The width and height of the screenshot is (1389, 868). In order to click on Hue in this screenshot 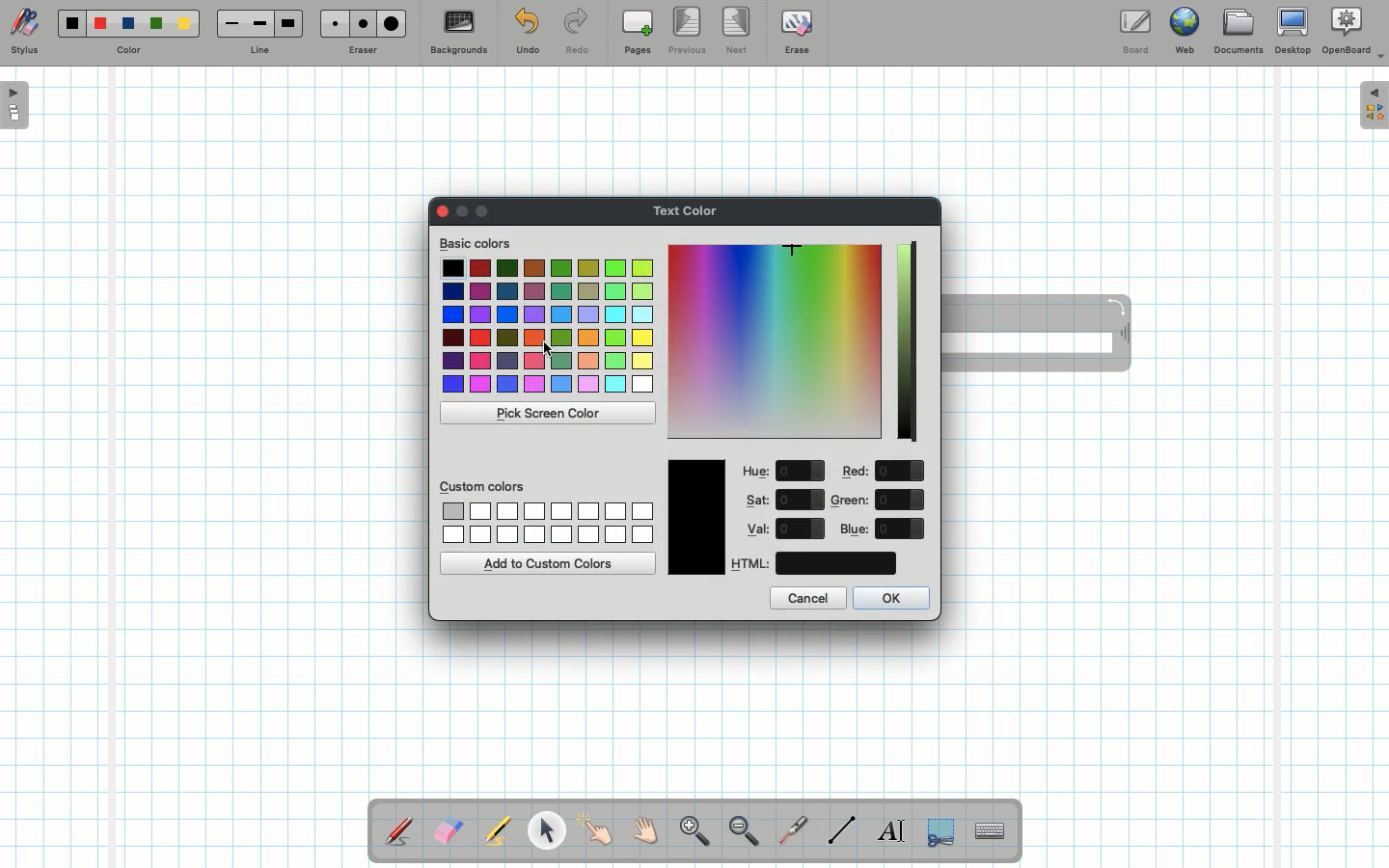, I will do `click(757, 472)`.